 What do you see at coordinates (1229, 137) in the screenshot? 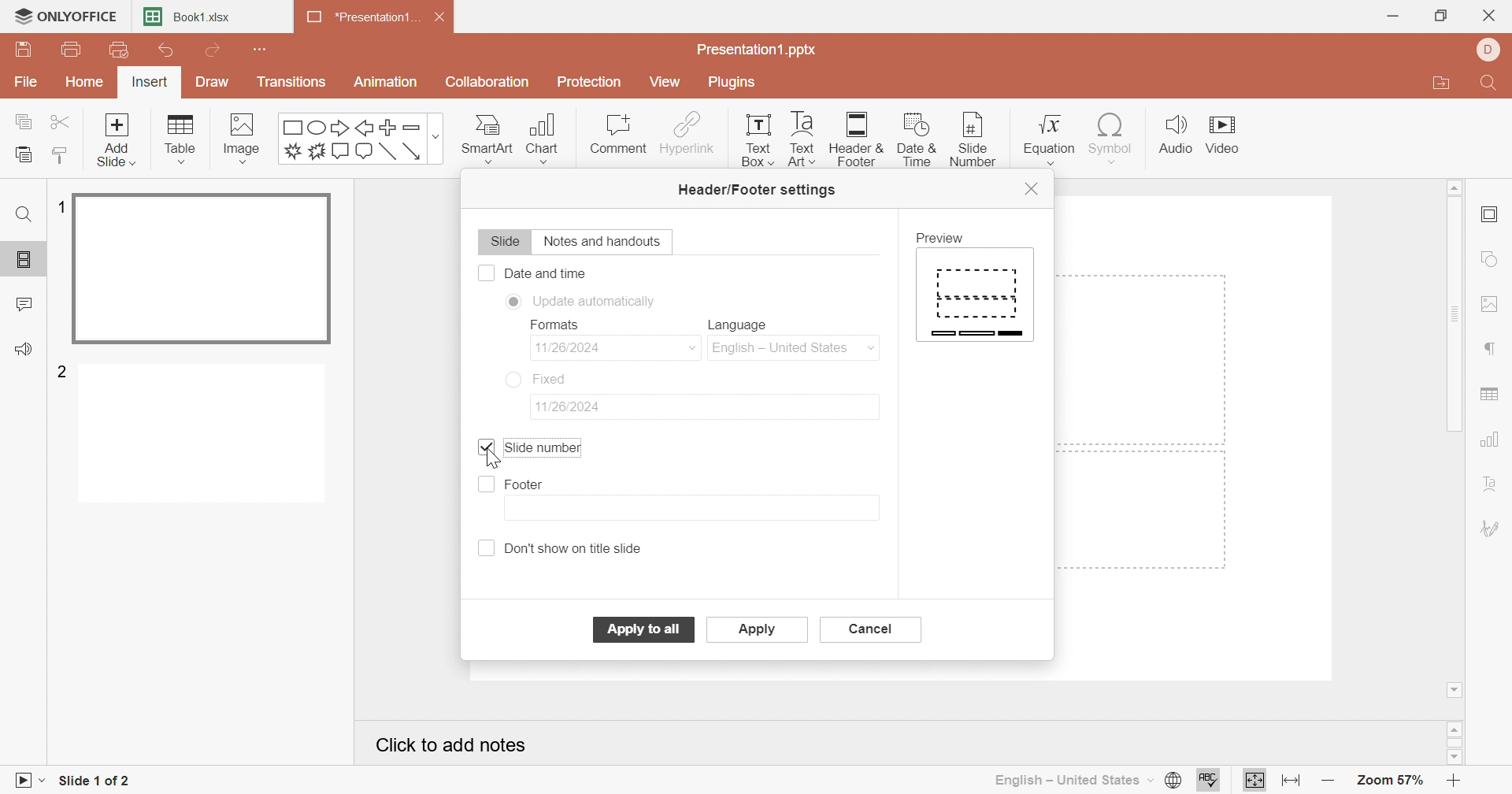
I see `Video` at bounding box center [1229, 137].